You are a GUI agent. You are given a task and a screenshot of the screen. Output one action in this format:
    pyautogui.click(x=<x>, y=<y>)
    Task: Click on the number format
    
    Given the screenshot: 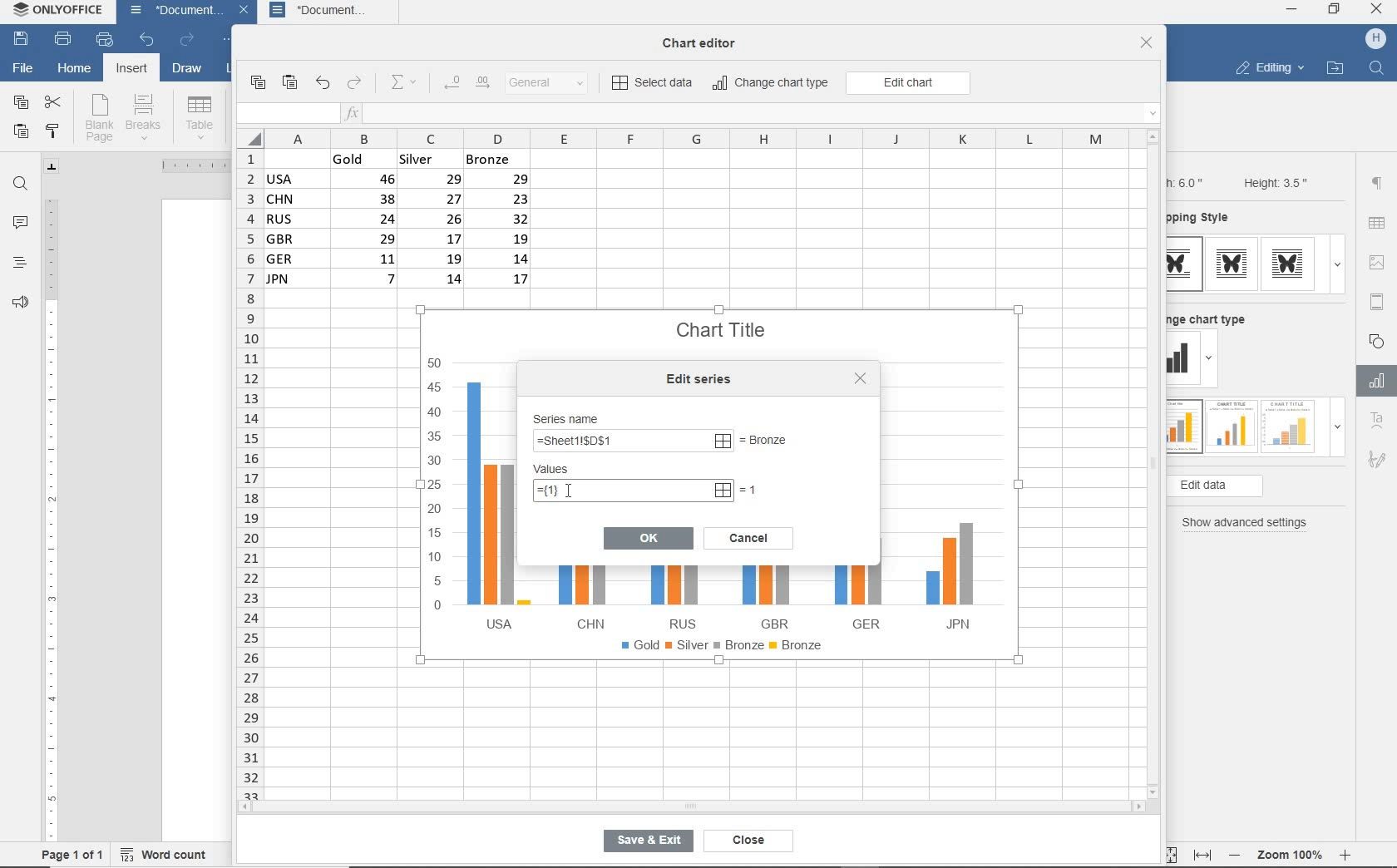 What is the action you would take?
    pyautogui.click(x=553, y=84)
    